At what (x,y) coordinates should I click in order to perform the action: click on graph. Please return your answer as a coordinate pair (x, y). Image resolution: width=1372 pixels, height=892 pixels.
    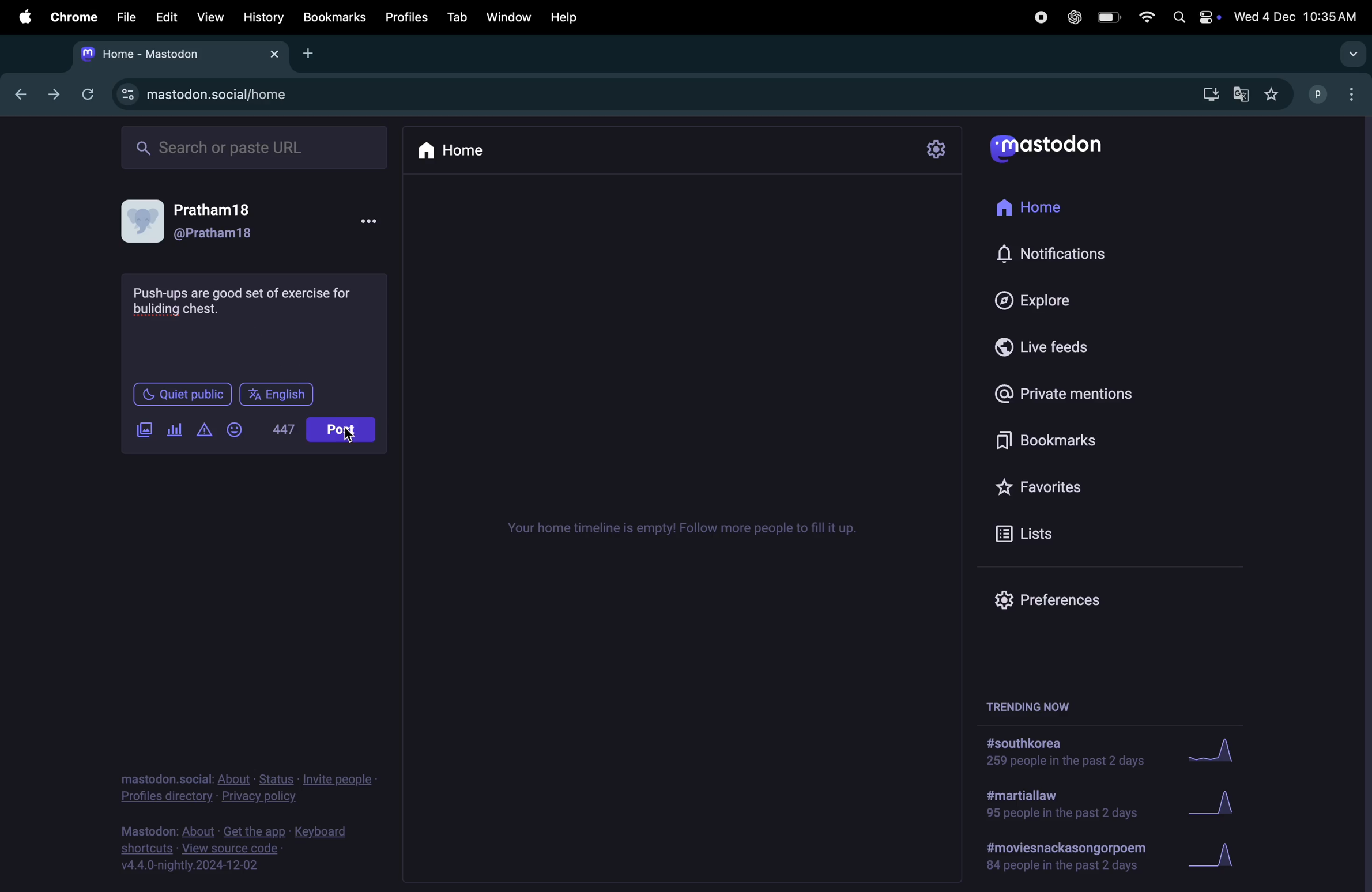
    Looking at the image, I should click on (1220, 856).